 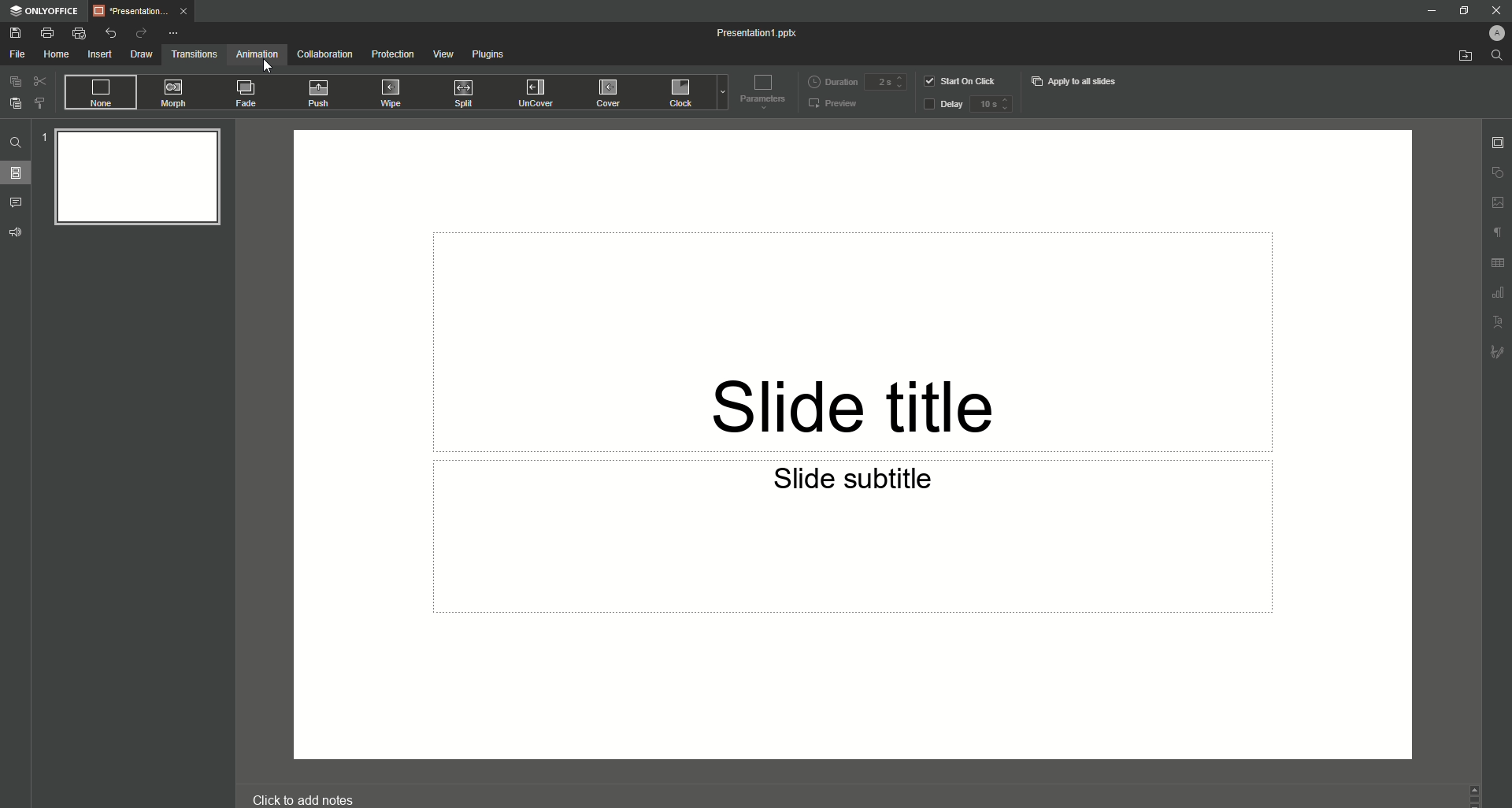 What do you see at coordinates (17, 173) in the screenshot?
I see `Slides` at bounding box center [17, 173].